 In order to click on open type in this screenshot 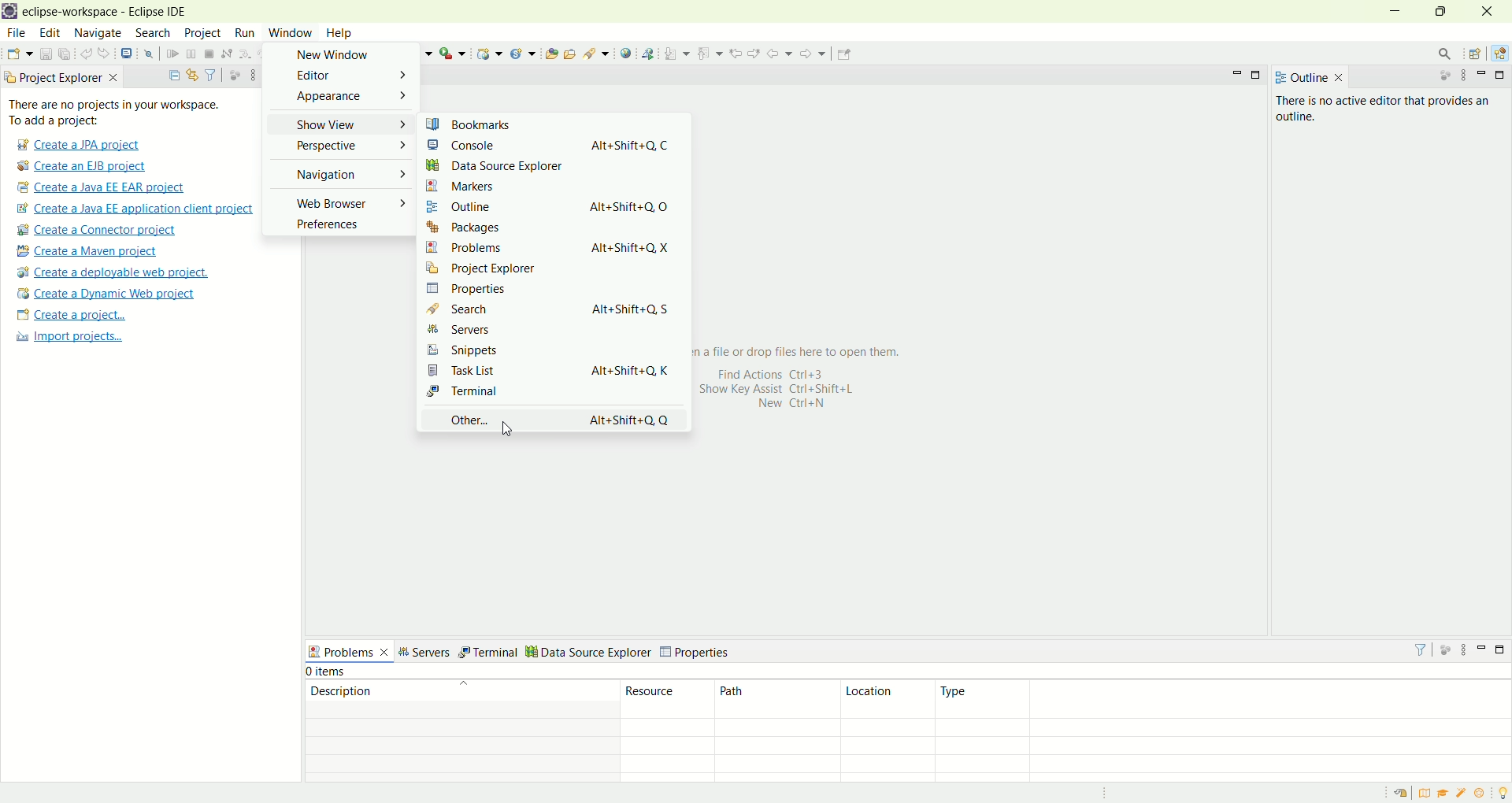, I will do `click(550, 52)`.